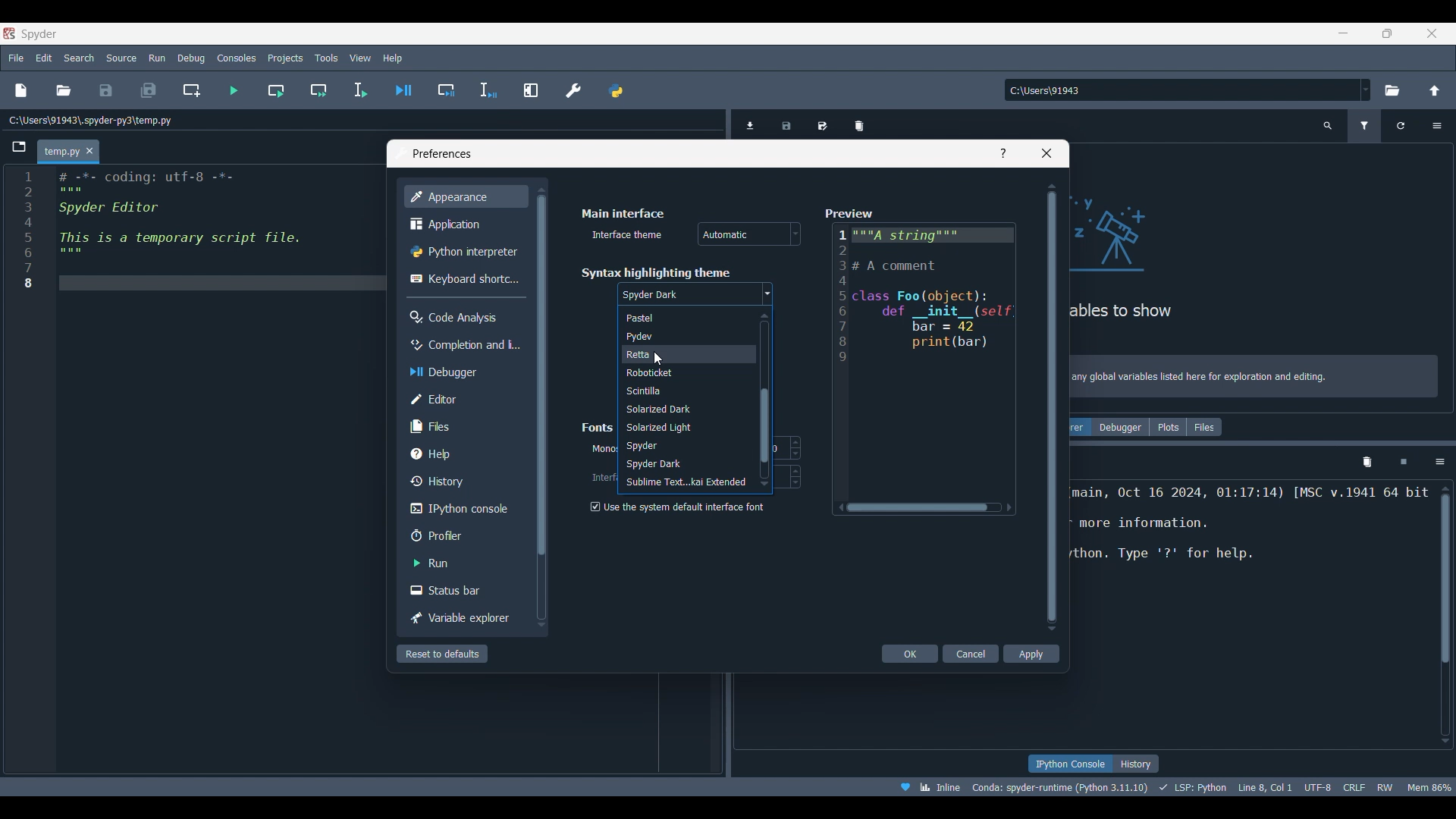 The height and width of the screenshot is (819, 1456). What do you see at coordinates (39, 33) in the screenshot?
I see `Software name` at bounding box center [39, 33].